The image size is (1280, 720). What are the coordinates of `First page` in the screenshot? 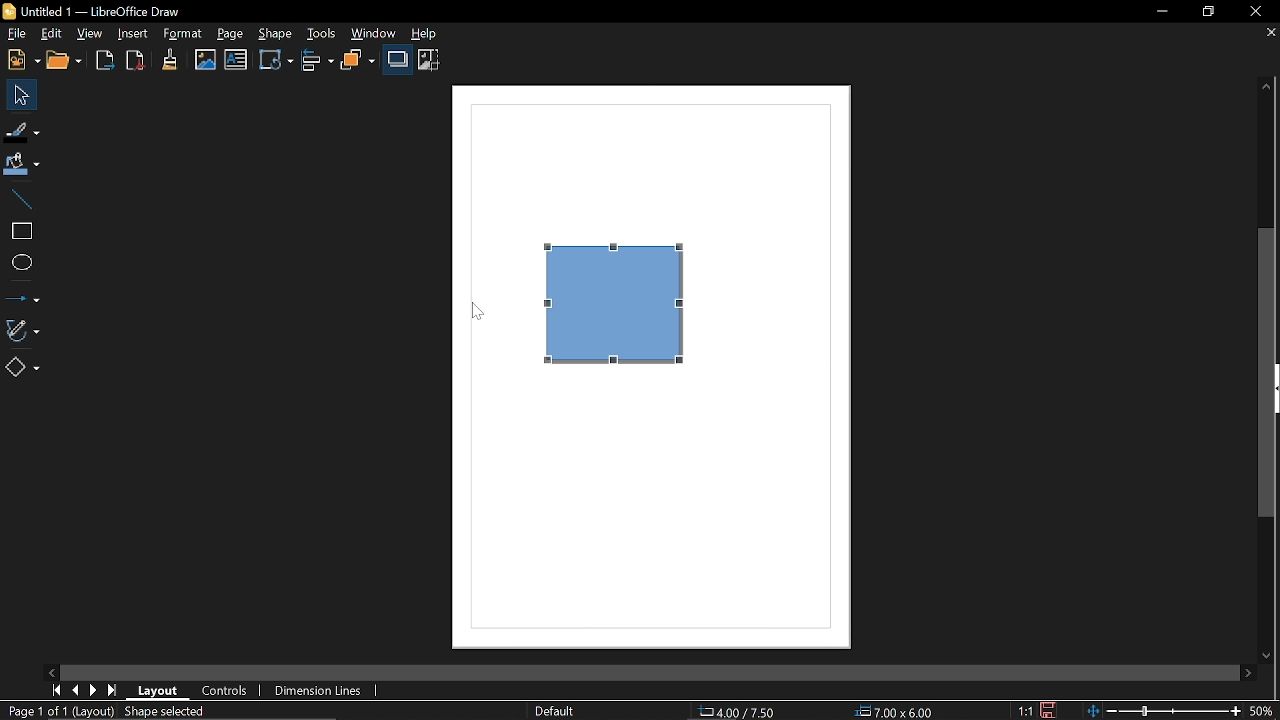 It's located at (56, 691).